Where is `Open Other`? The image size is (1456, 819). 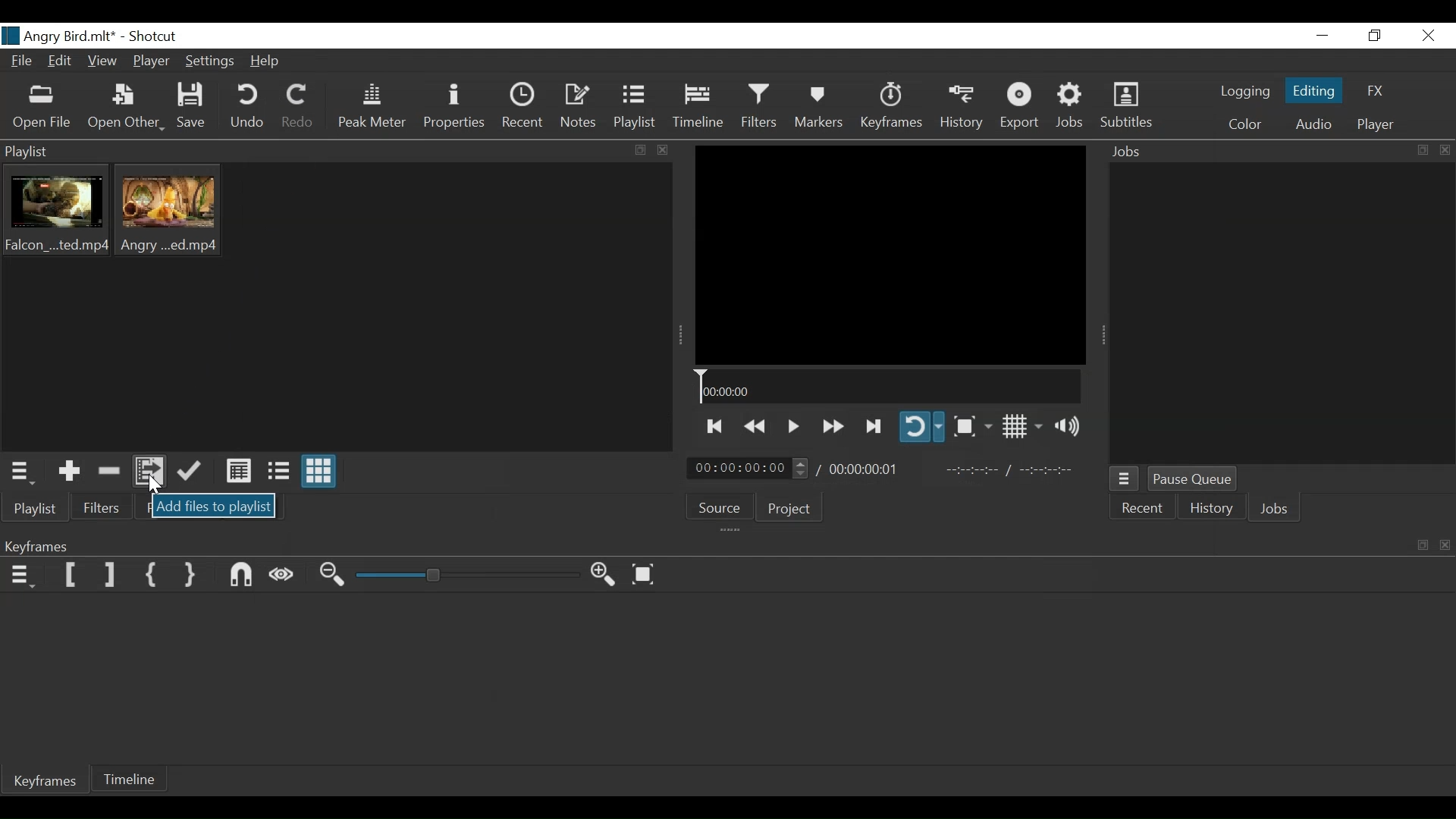 Open Other is located at coordinates (126, 107).